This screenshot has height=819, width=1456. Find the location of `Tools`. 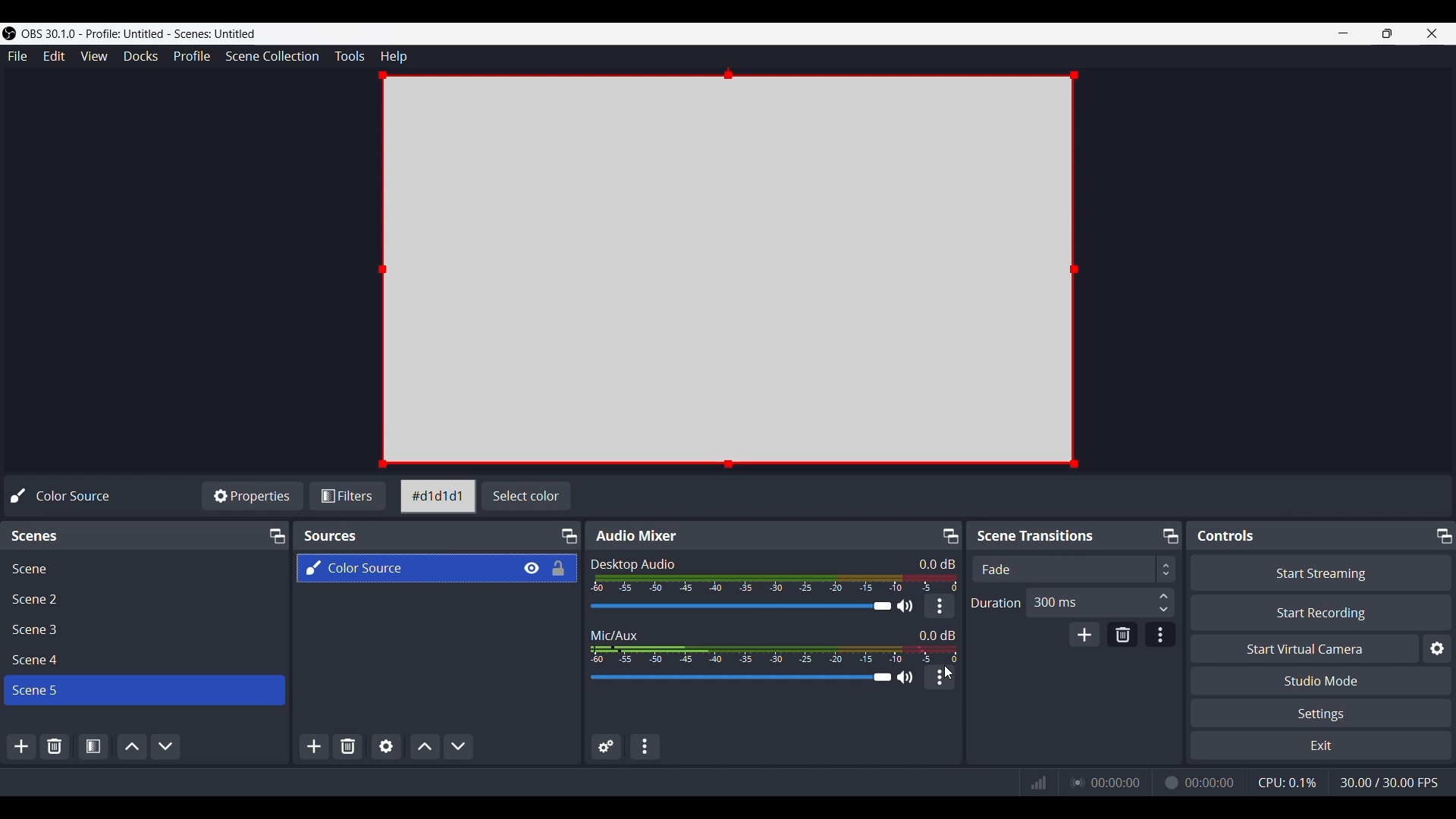

Tools is located at coordinates (349, 56).